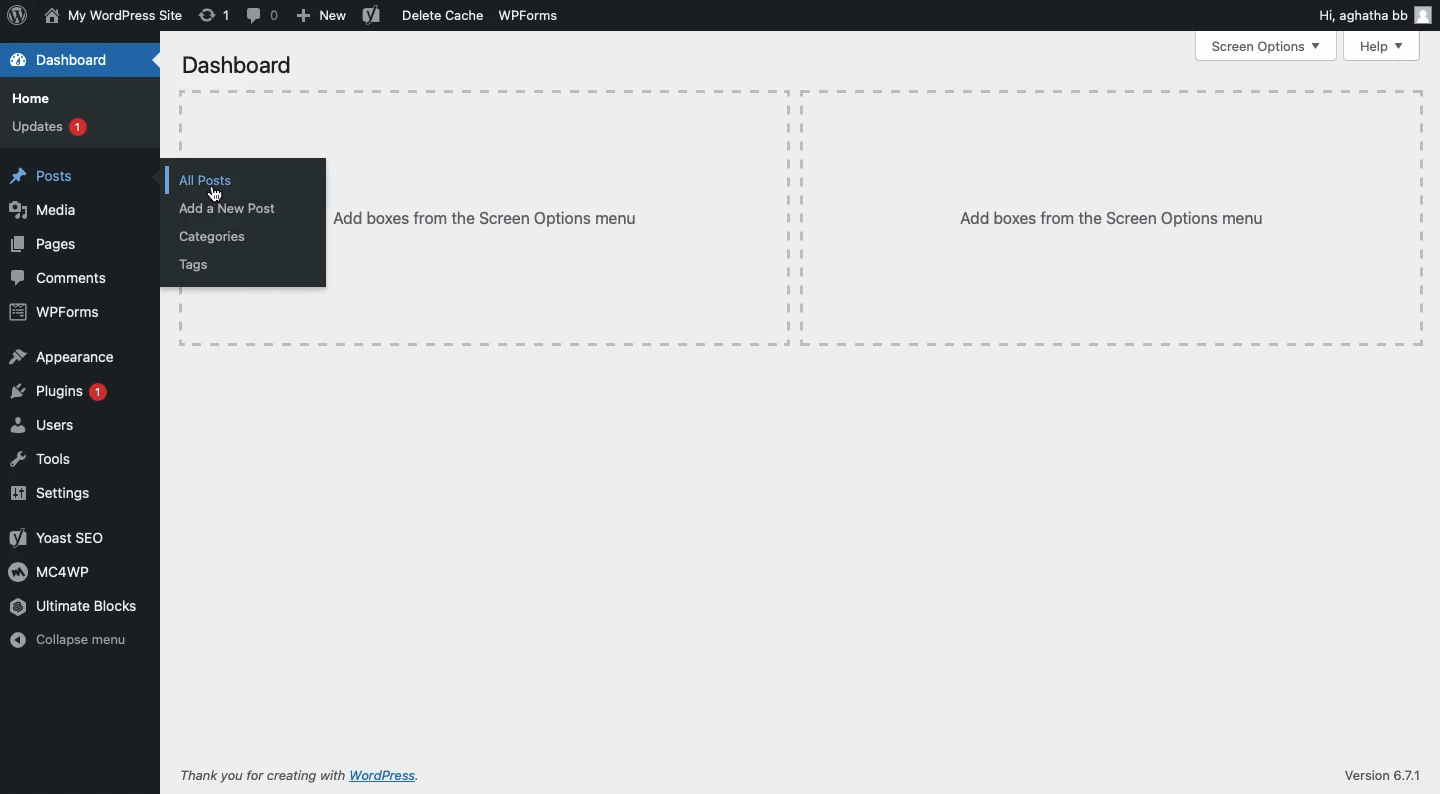 This screenshot has width=1440, height=794. I want to click on Version 6.7.1, so click(1382, 775).